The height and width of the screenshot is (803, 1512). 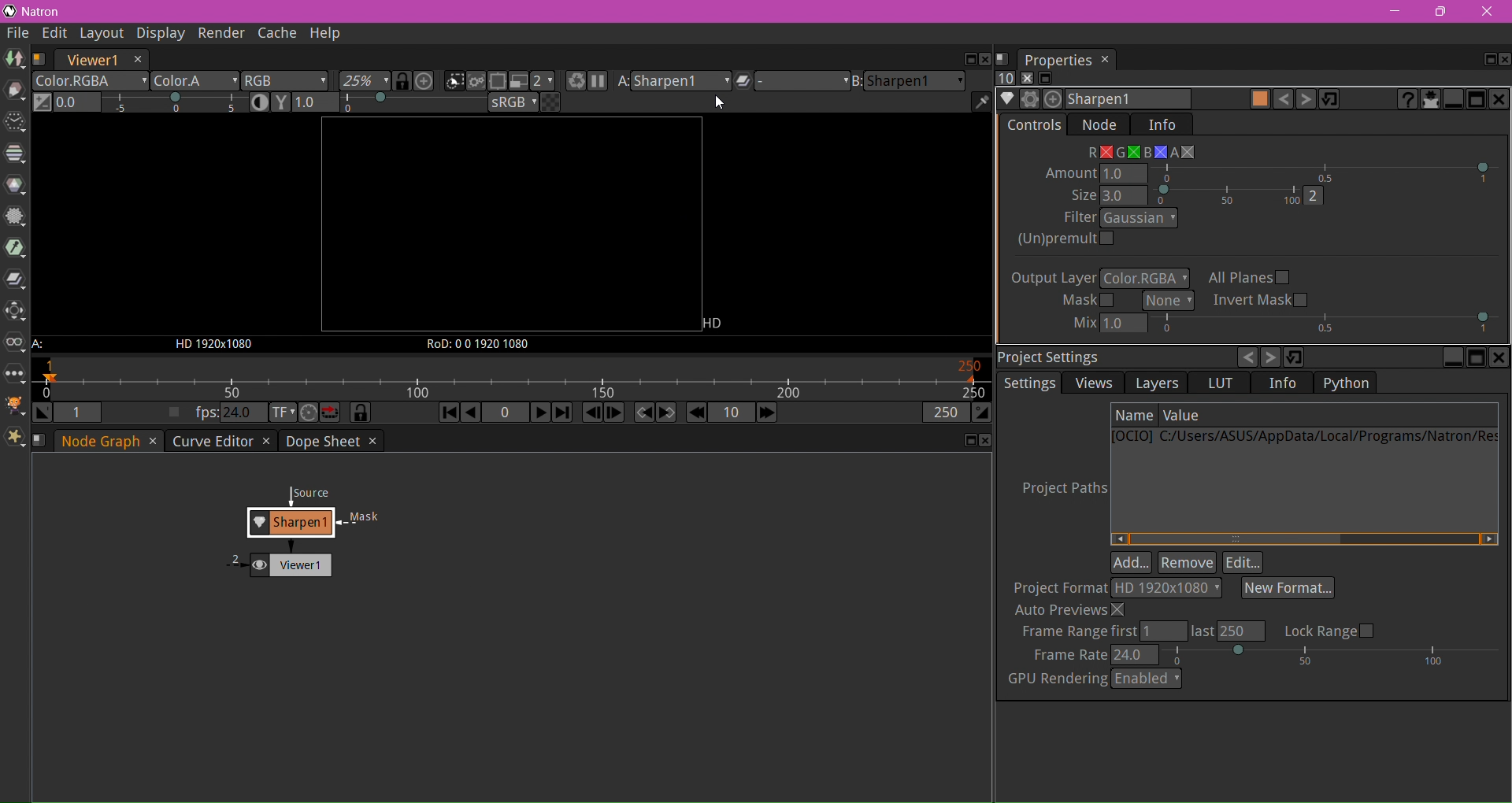 I want to click on First frame, so click(x=447, y=414).